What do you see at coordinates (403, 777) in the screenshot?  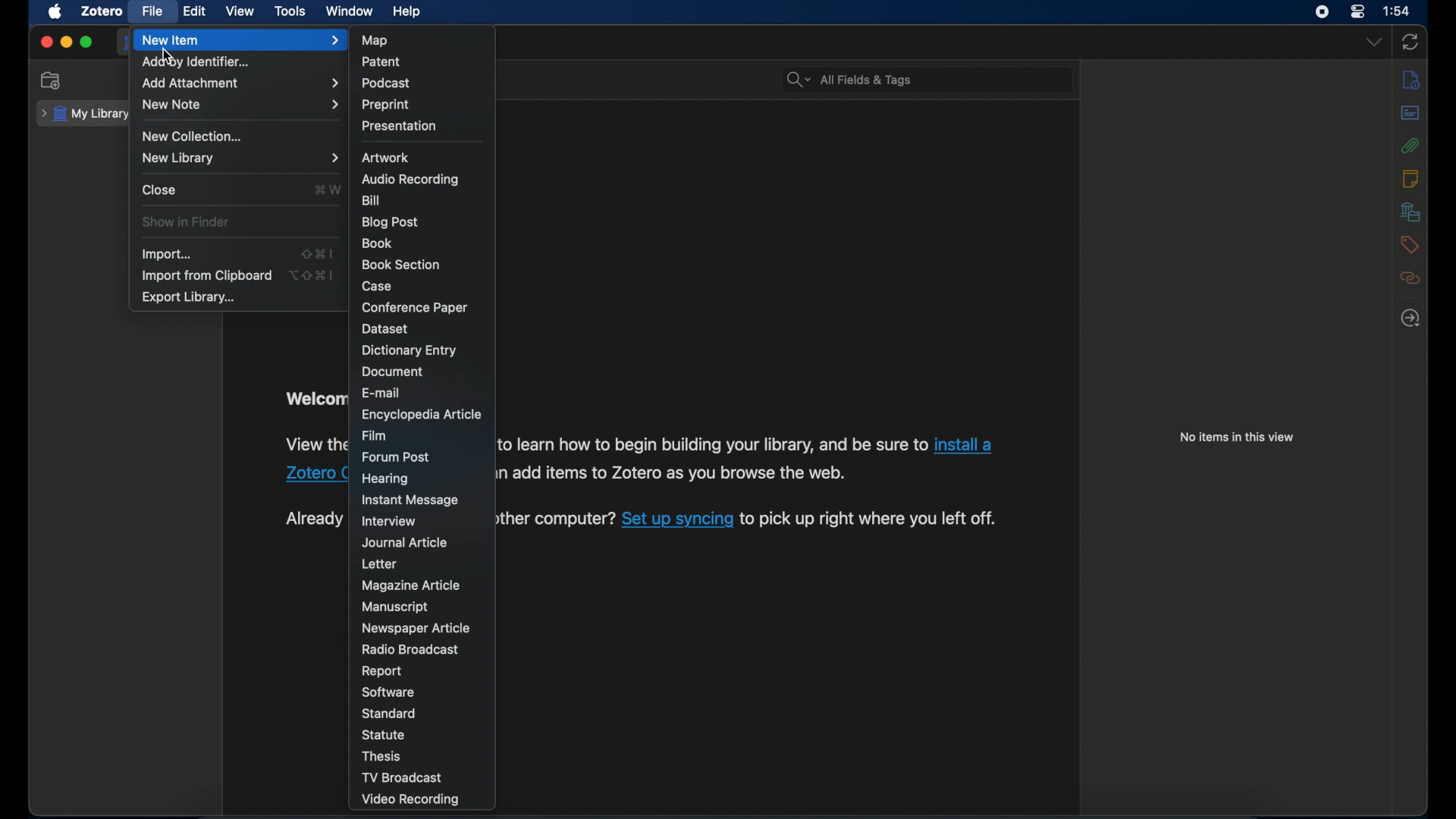 I see `tv broadcast` at bounding box center [403, 777].